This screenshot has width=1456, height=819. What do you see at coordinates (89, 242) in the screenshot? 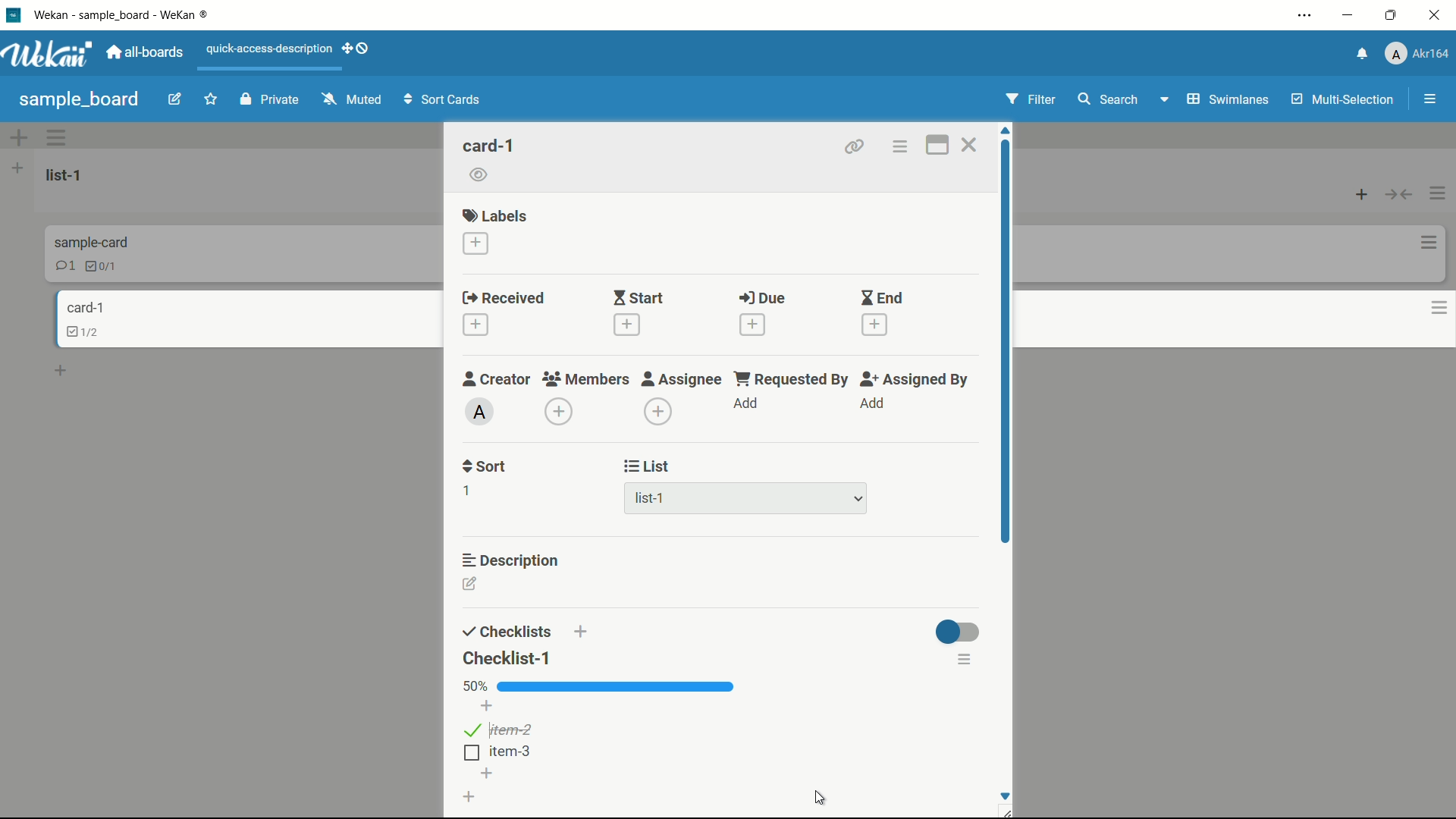
I see `card name` at bounding box center [89, 242].